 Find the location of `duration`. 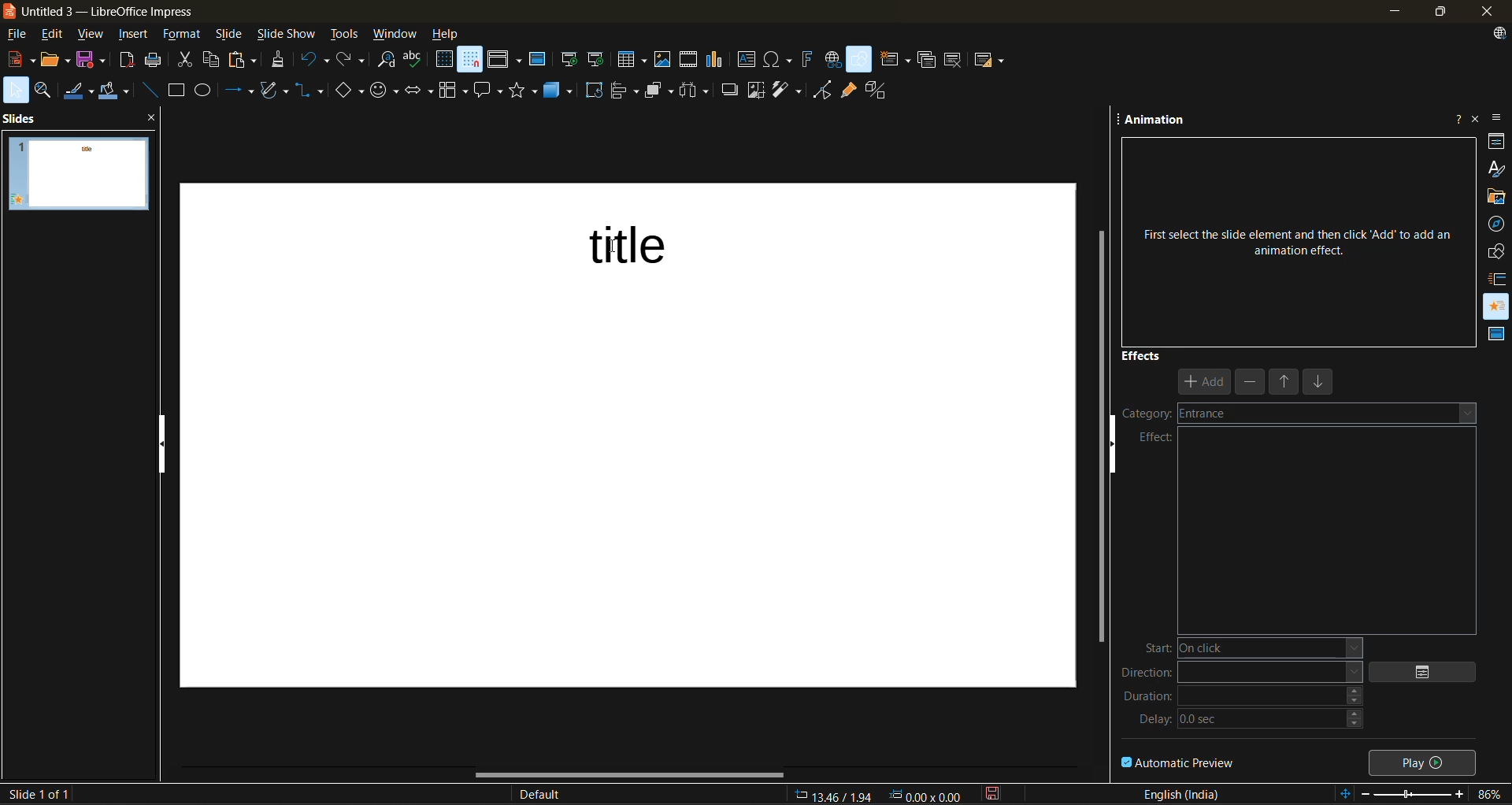

duration is located at coordinates (1243, 701).